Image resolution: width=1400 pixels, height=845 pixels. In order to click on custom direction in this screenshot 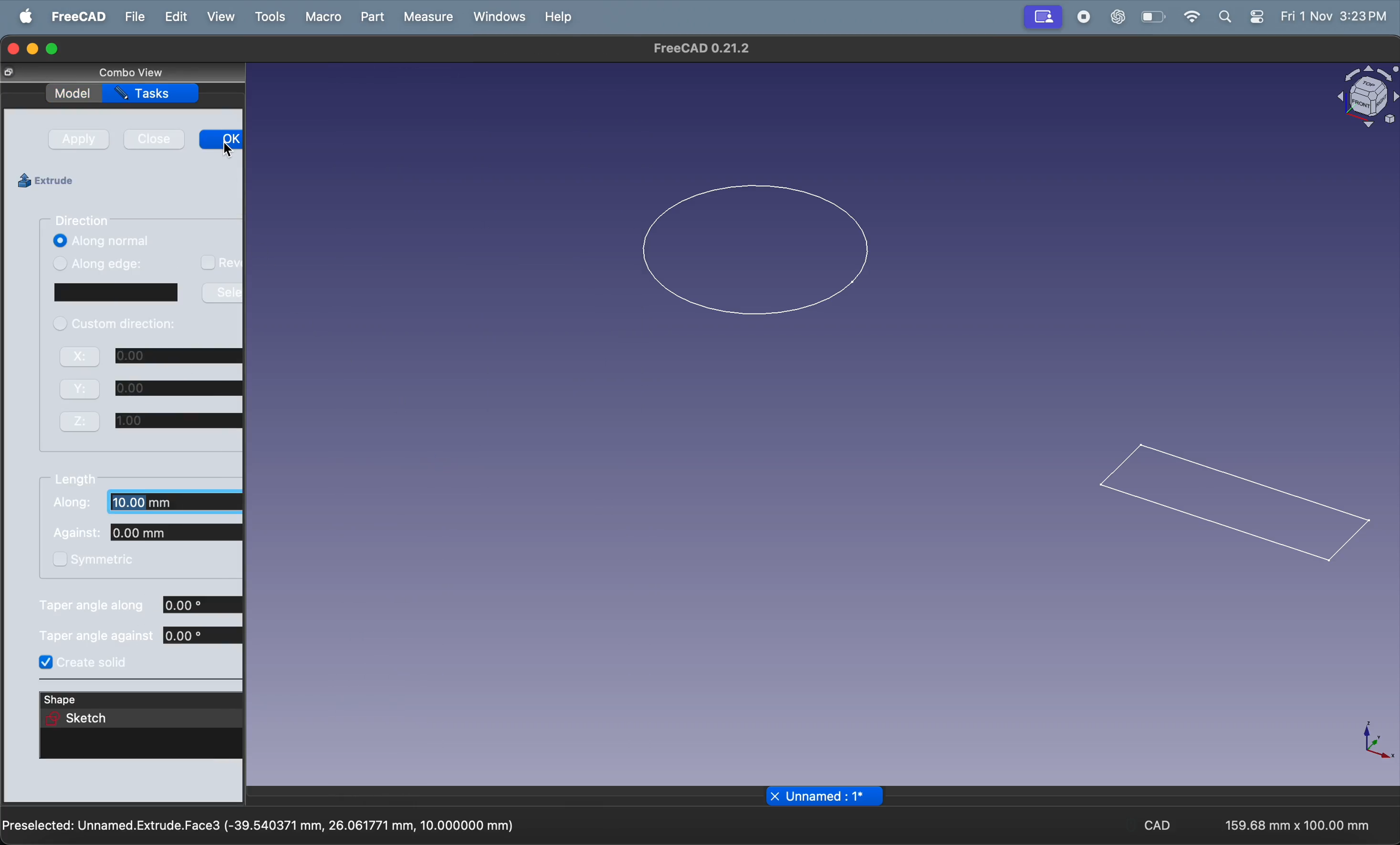, I will do `click(118, 325)`.